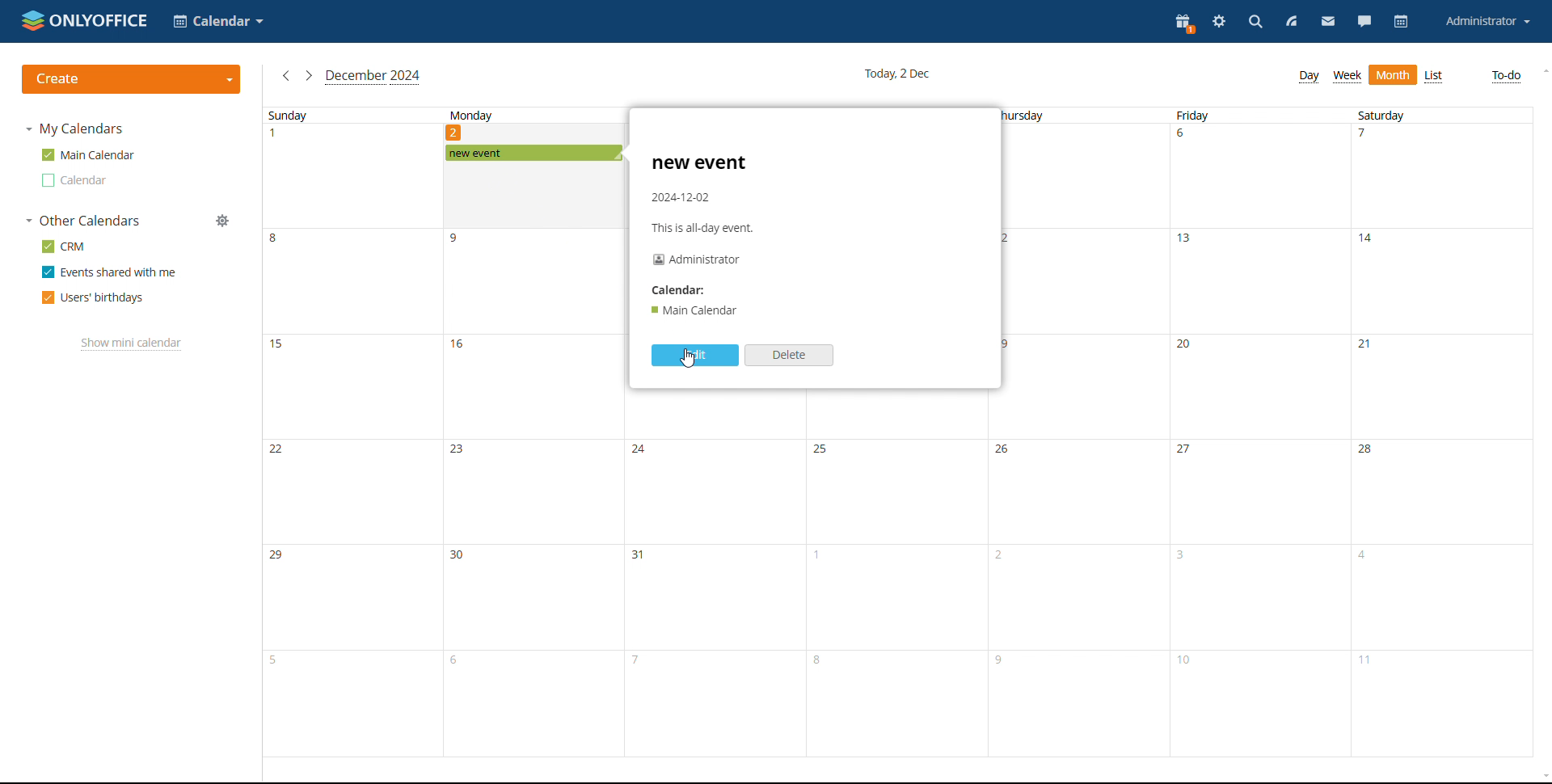  Describe the element at coordinates (61, 246) in the screenshot. I see `crm` at that location.